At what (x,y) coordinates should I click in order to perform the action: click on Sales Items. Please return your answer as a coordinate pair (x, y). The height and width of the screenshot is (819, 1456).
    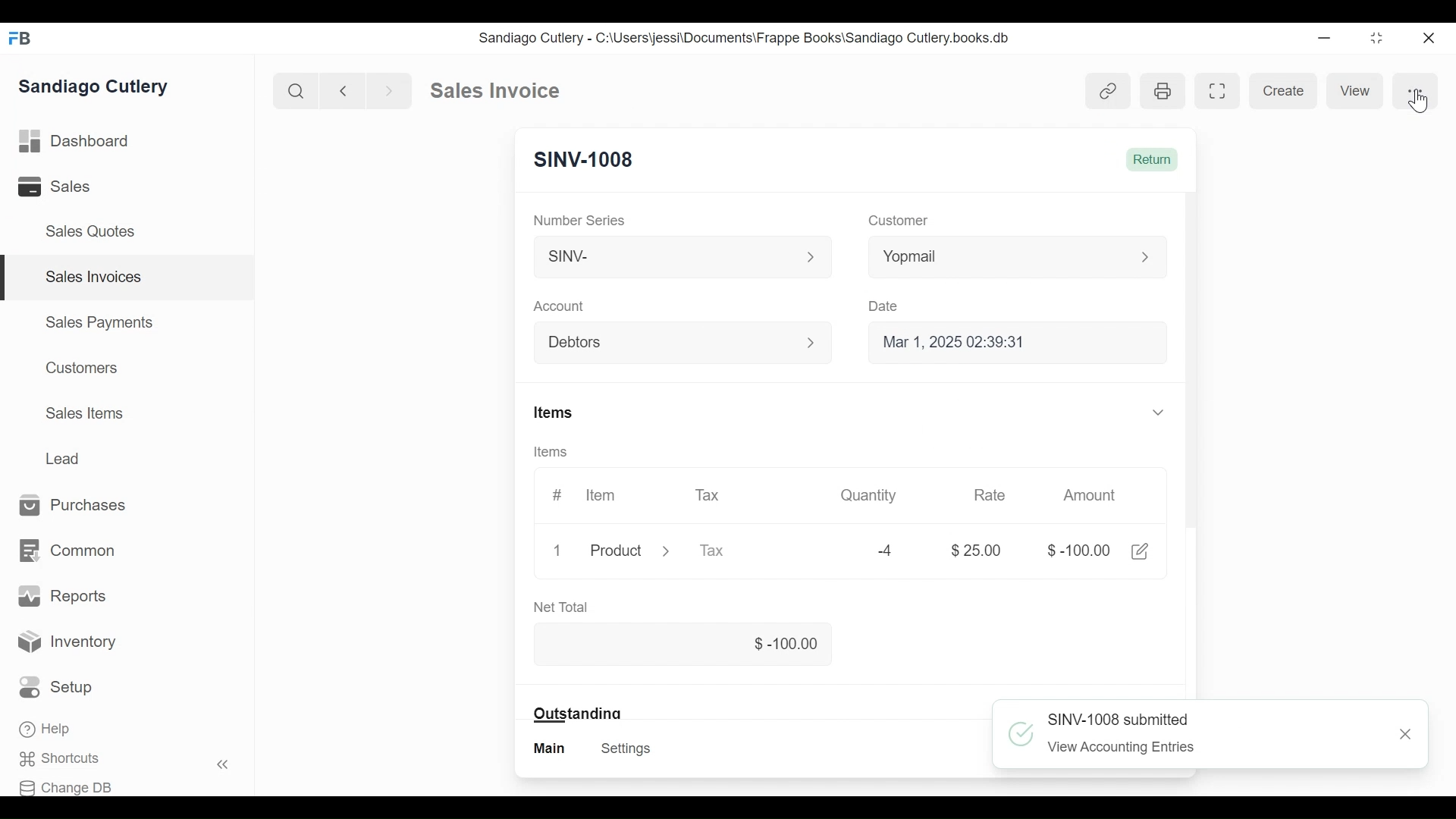
    Looking at the image, I should click on (84, 413).